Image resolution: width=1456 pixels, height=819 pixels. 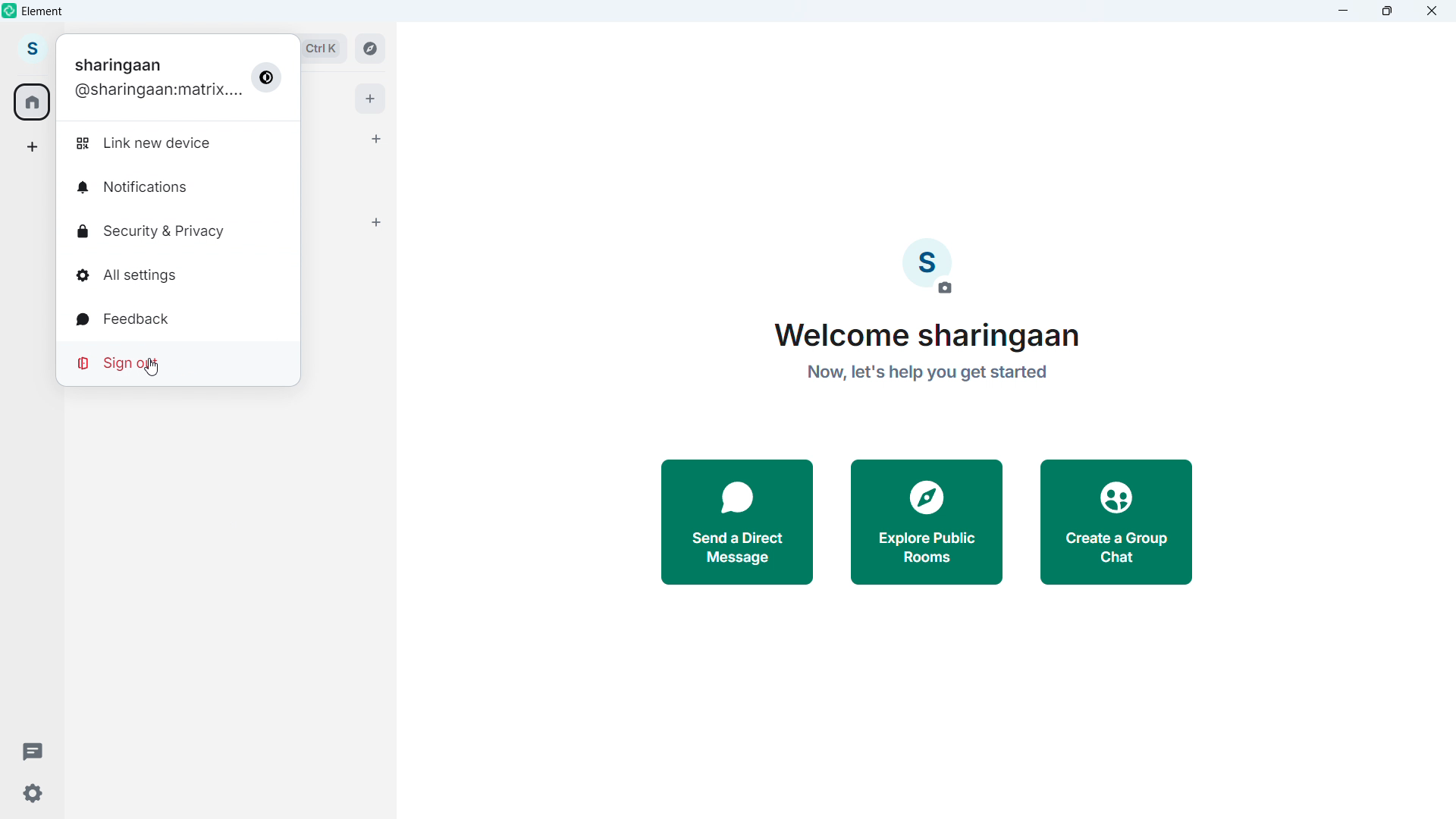 I want to click on search, so click(x=323, y=47).